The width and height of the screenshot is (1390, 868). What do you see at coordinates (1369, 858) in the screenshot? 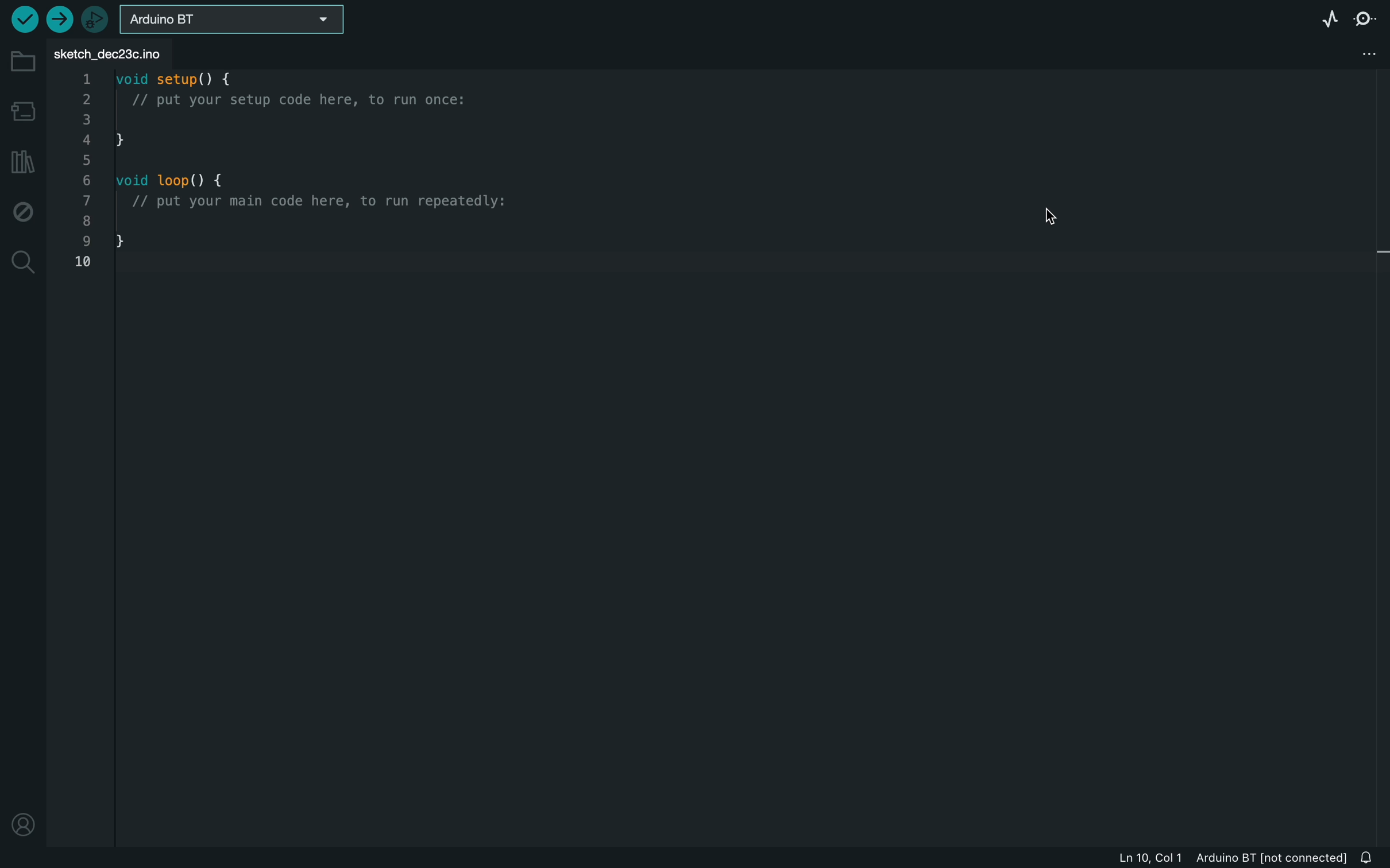
I see `notification` at bounding box center [1369, 858].